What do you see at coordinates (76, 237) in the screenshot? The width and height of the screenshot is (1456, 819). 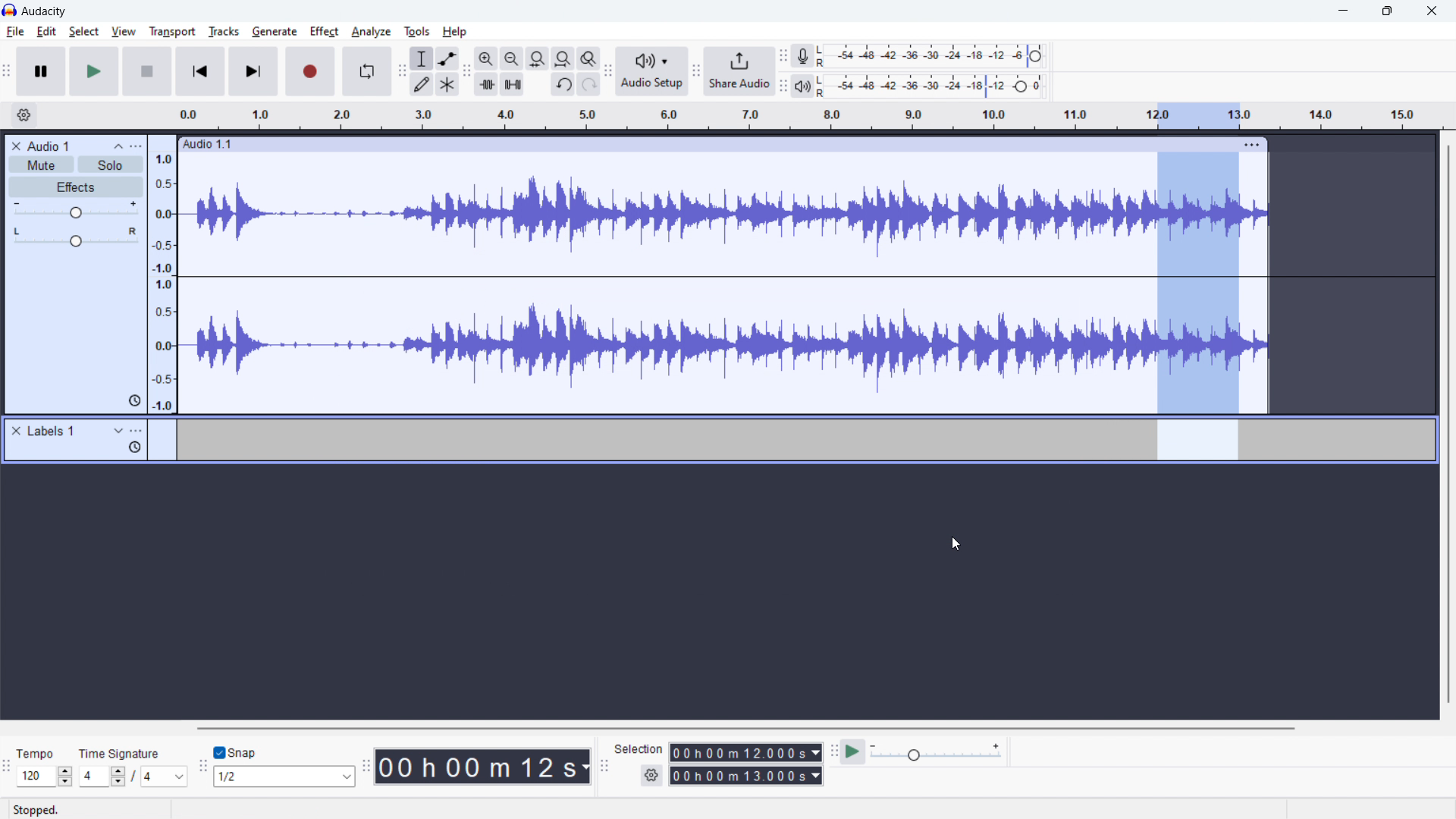 I see `pan` at bounding box center [76, 237].